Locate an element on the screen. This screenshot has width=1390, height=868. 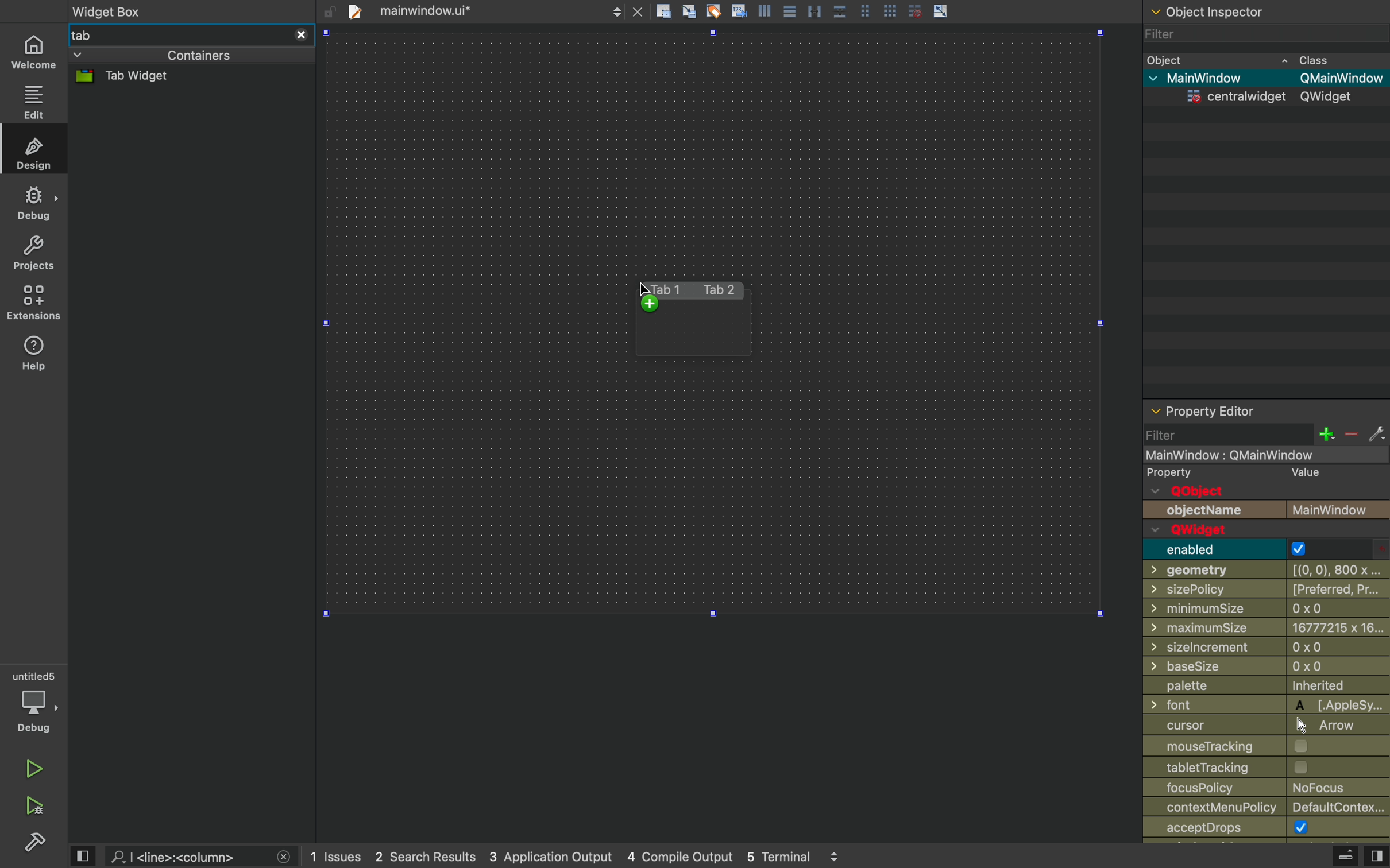
accept drops is located at coordinates (1267, 830).